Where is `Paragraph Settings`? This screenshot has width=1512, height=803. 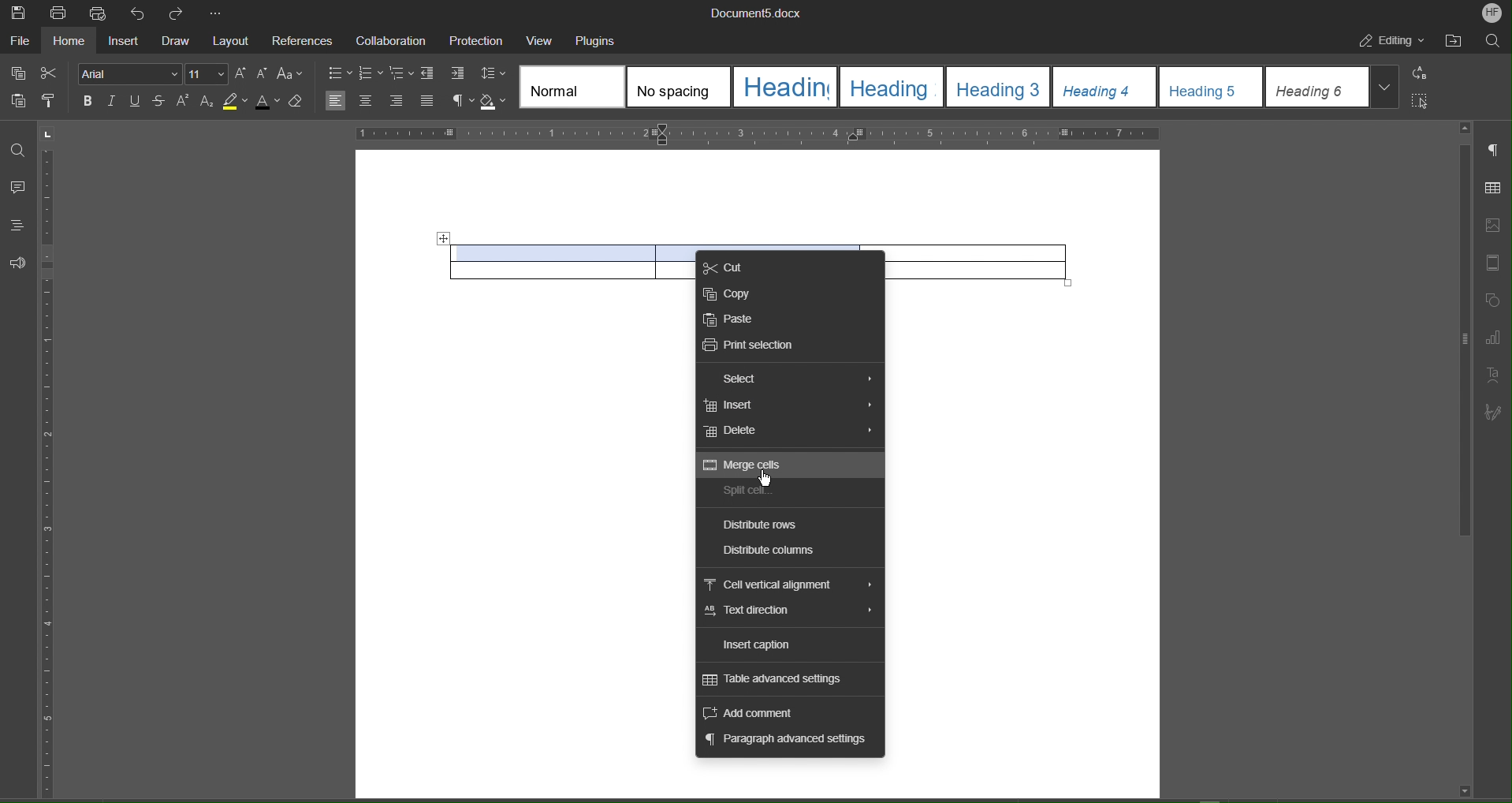
Paragraph Settings is located at coordinates (1495, 152).